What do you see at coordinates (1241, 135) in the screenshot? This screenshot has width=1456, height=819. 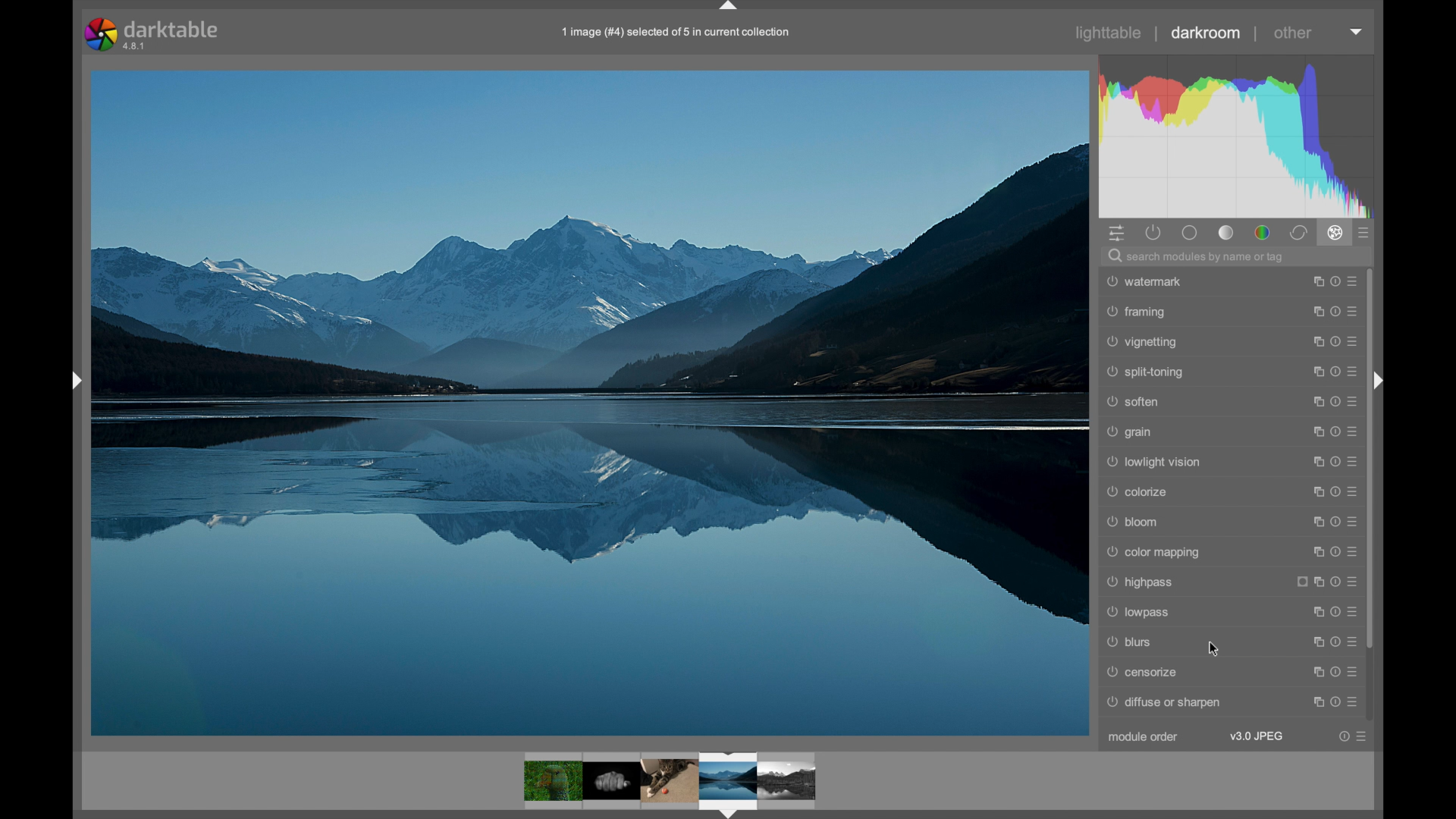 I see `histogram` at bounding box center [1241, 135].